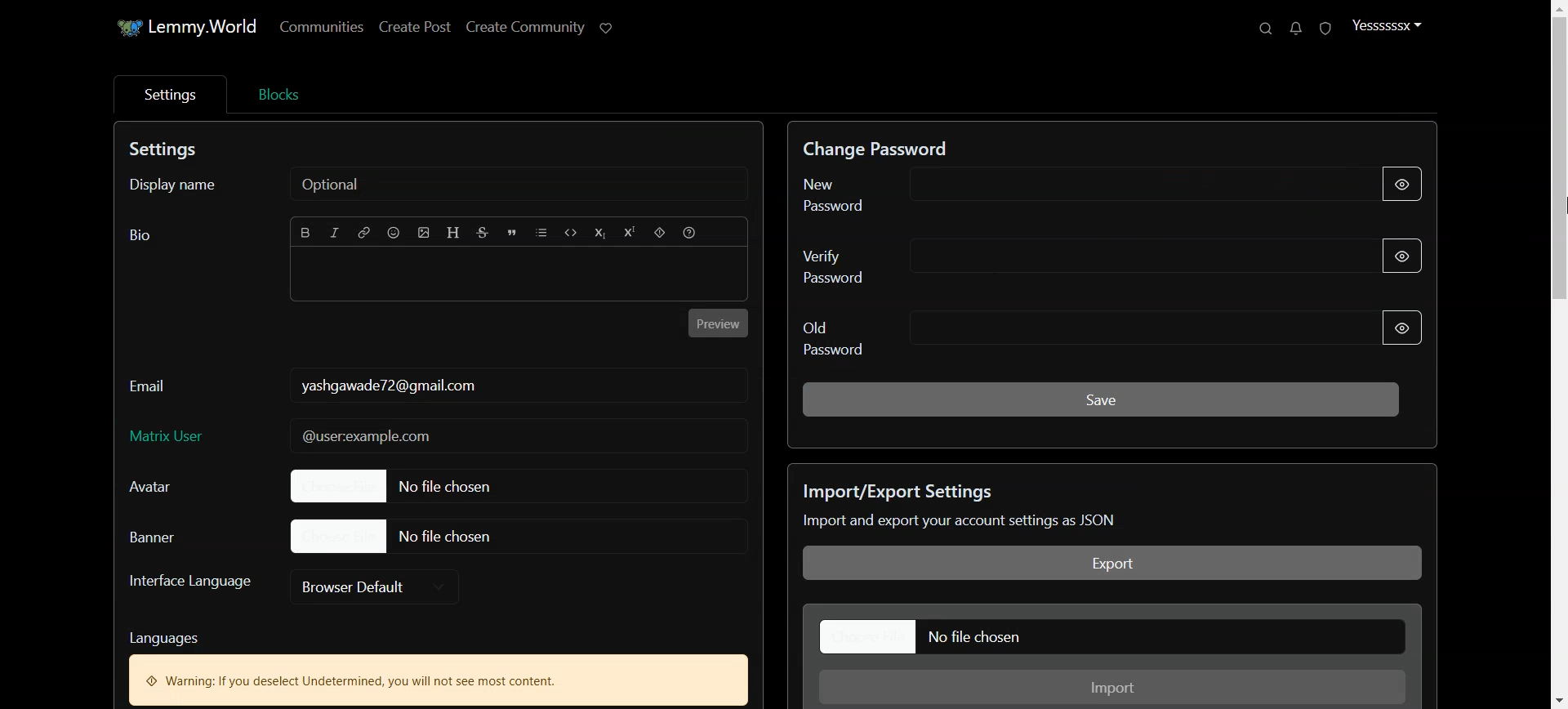 This screenshot has width=1568, height=709. Describe the element at coordinates (1110, 563) in the screenshot. I see `Export` at that location.